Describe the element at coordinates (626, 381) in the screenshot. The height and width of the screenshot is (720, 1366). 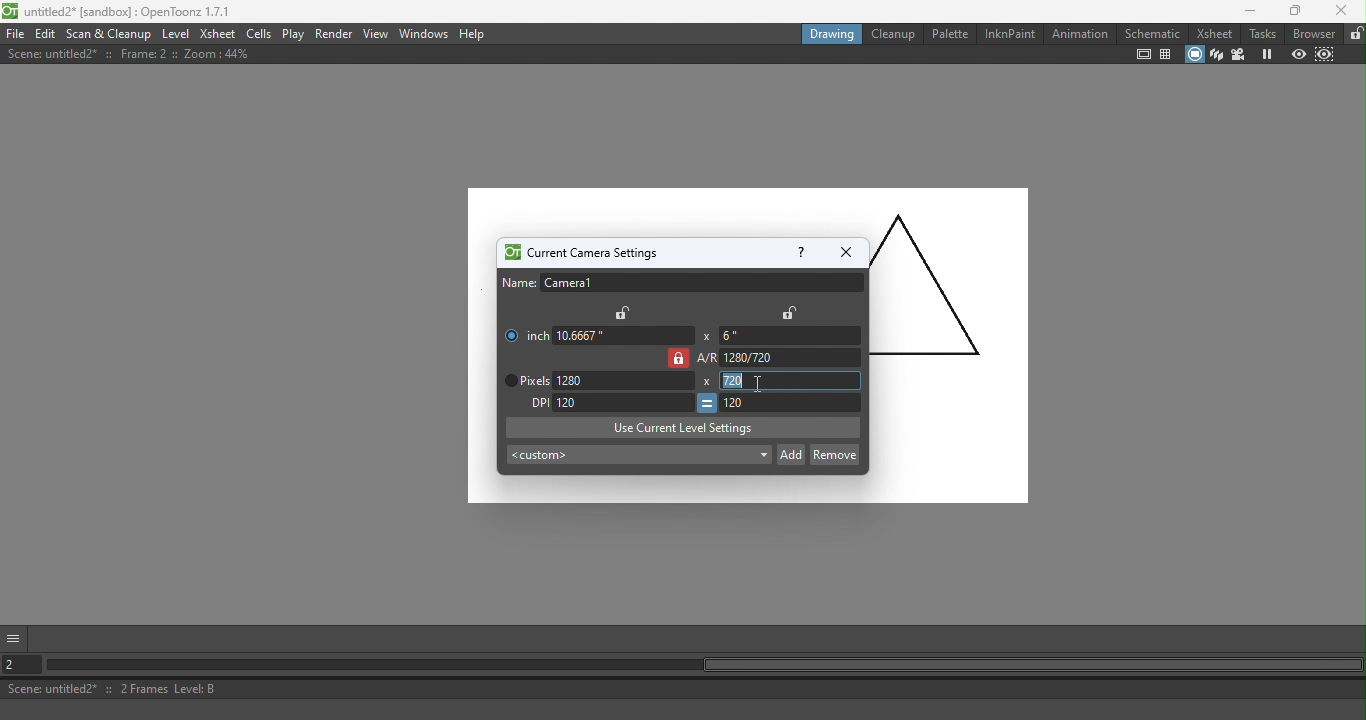
I see `Enter pixels` at that location.